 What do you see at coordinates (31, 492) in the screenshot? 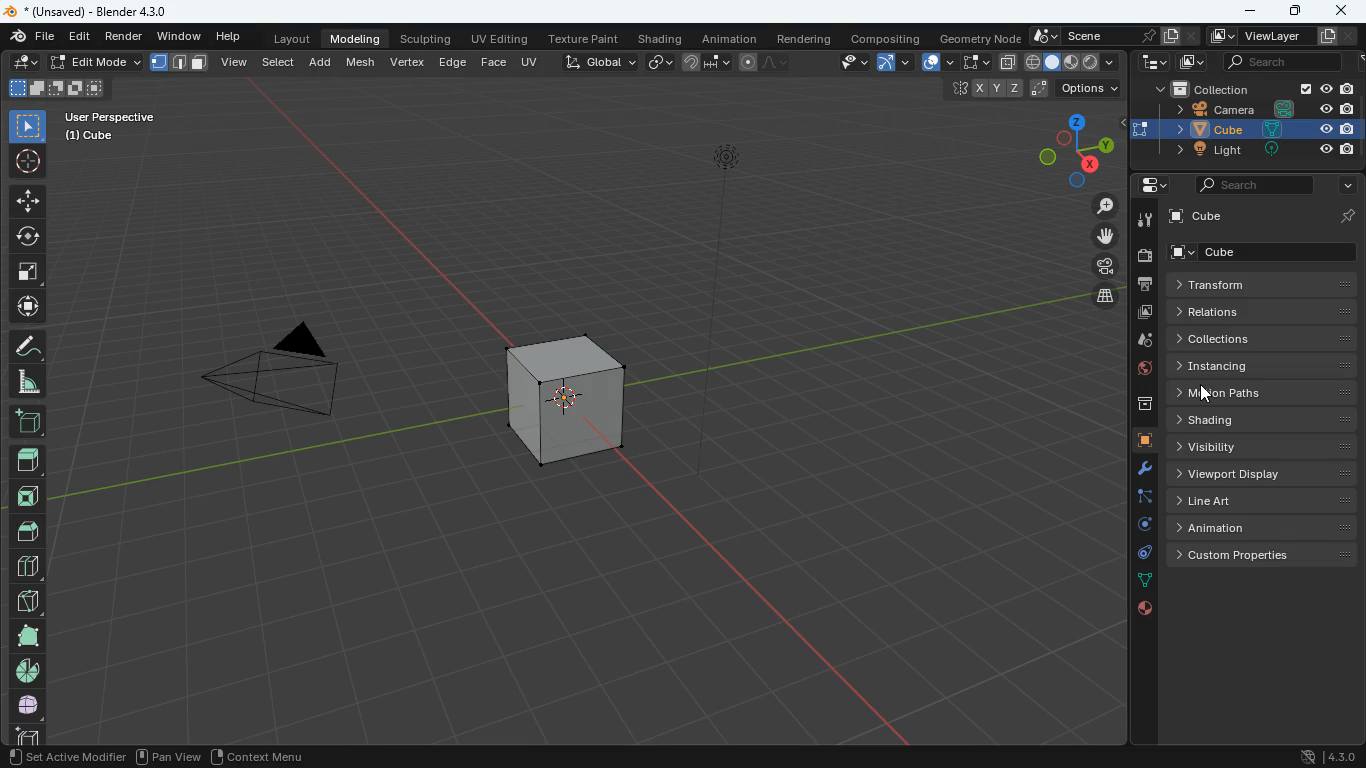
I see `front` at bounding box center [31, 492].